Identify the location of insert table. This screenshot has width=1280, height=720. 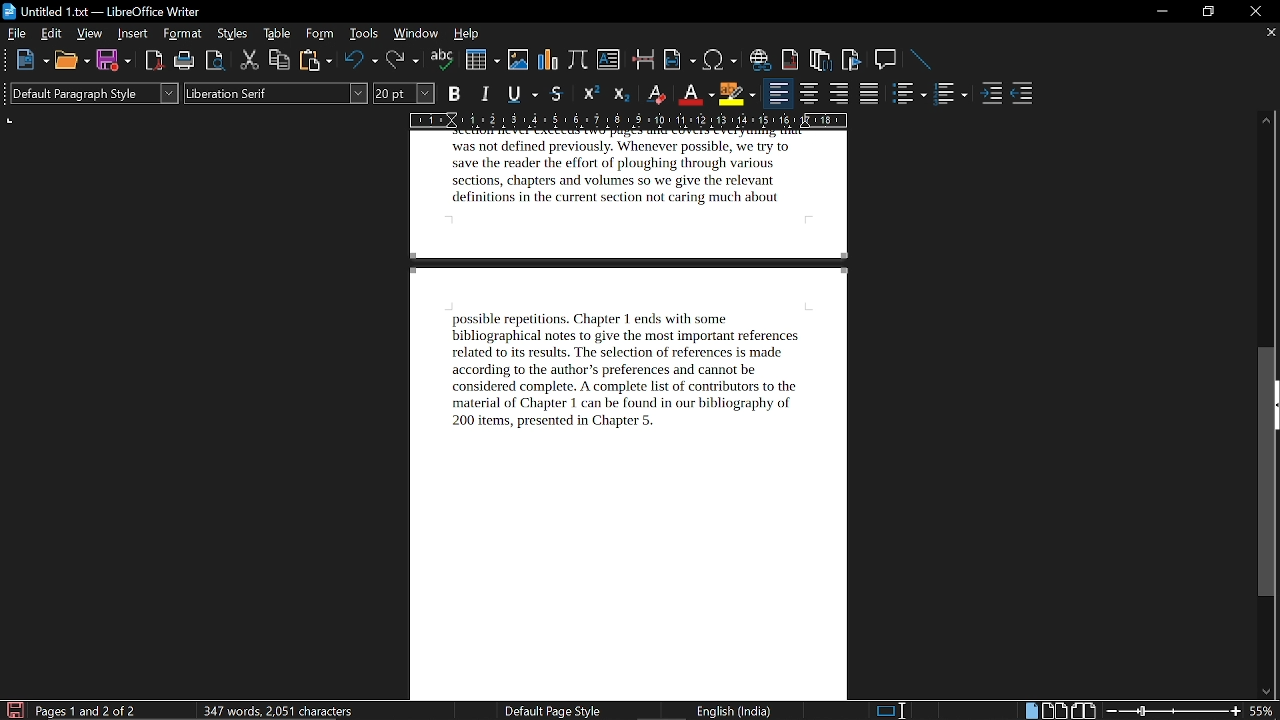
(482, 60).